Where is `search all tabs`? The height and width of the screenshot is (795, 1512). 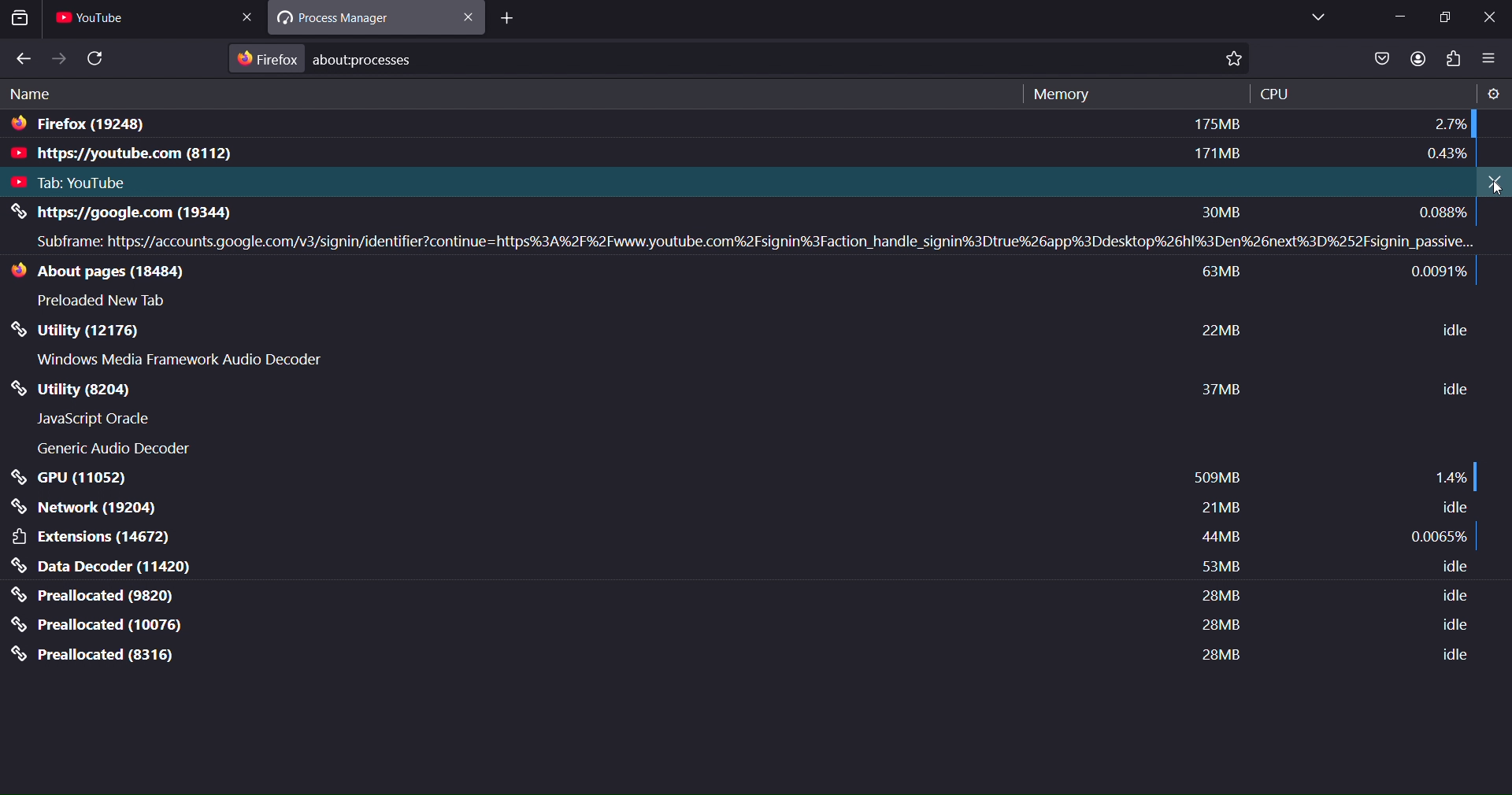 search all tabs is located at coordinates (23, 20).